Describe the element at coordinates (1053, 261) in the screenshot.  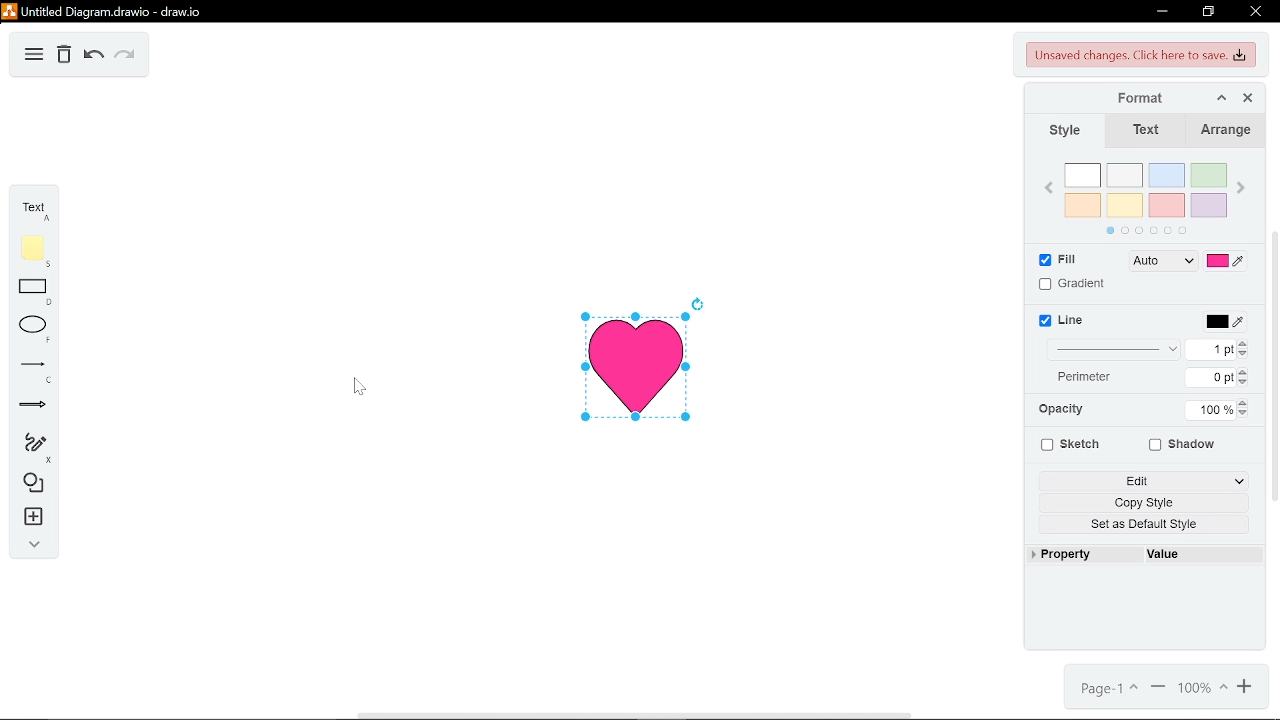
I see `fill` at that location.